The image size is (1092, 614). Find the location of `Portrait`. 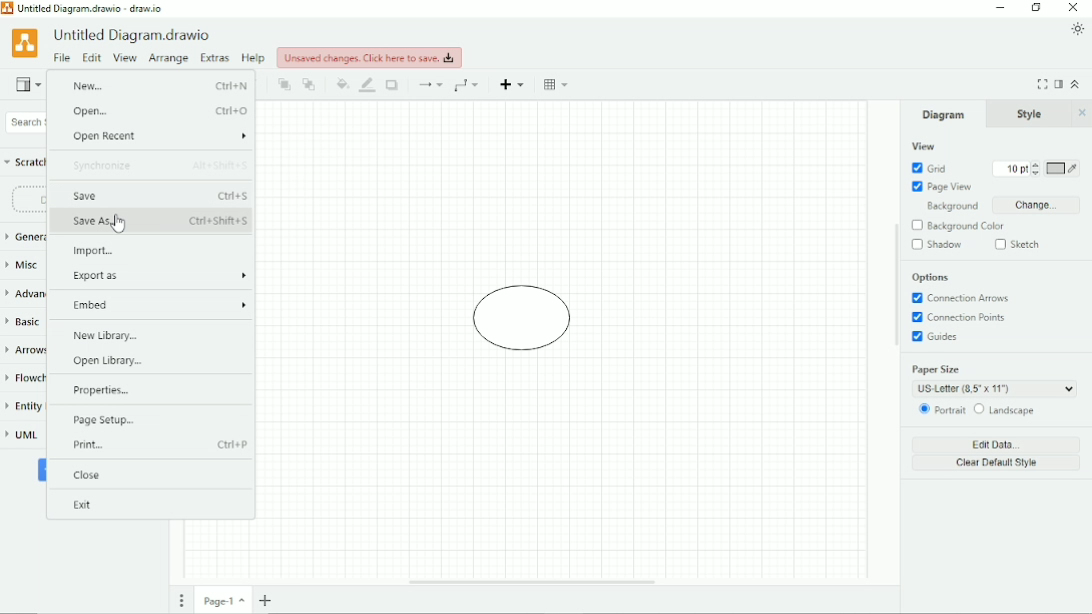

Portrait is located at coordinates (942, 411).